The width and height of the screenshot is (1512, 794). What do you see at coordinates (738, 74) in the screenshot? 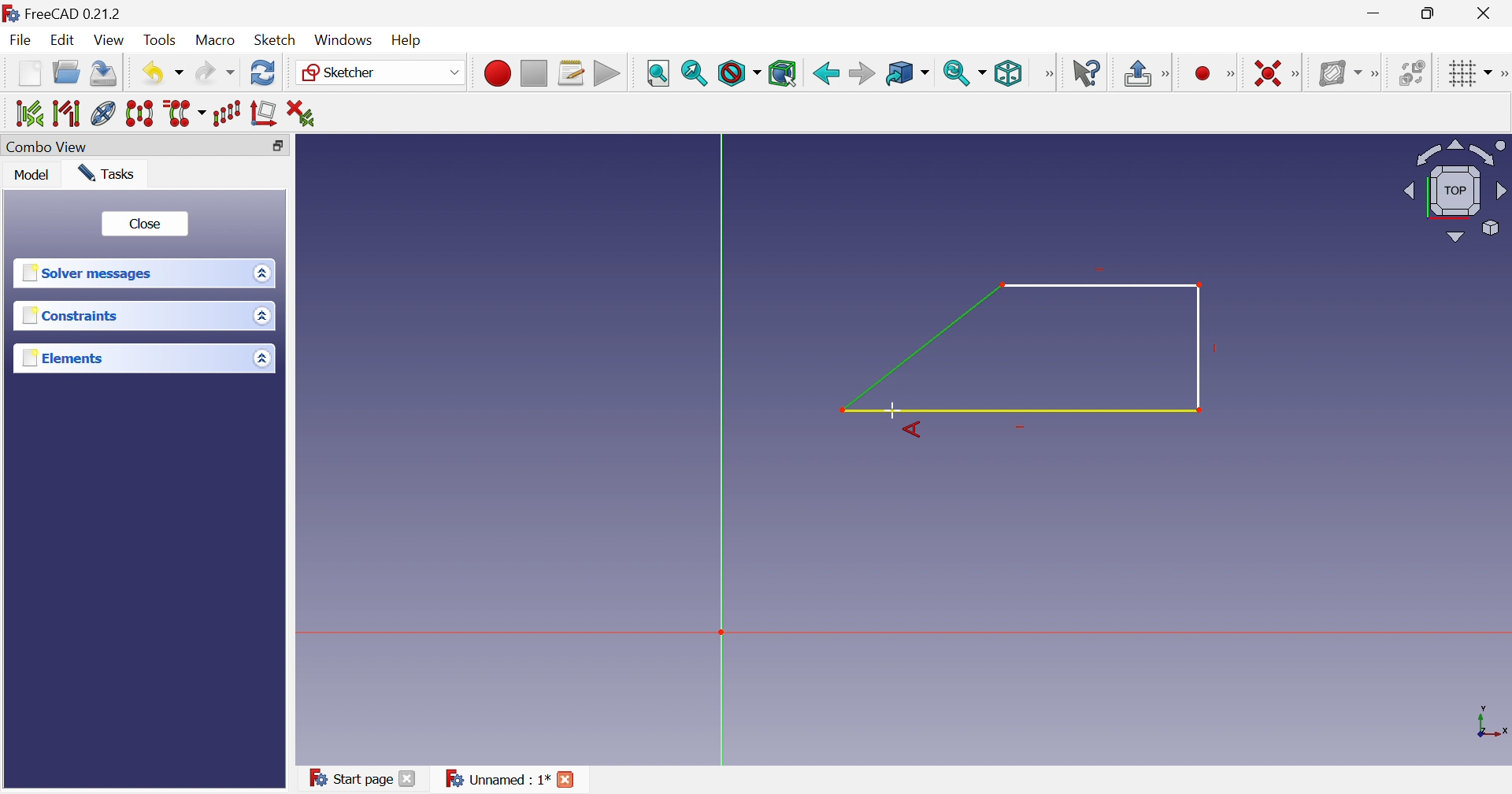
I see `Draw Style` at bounding box center [738, 74].